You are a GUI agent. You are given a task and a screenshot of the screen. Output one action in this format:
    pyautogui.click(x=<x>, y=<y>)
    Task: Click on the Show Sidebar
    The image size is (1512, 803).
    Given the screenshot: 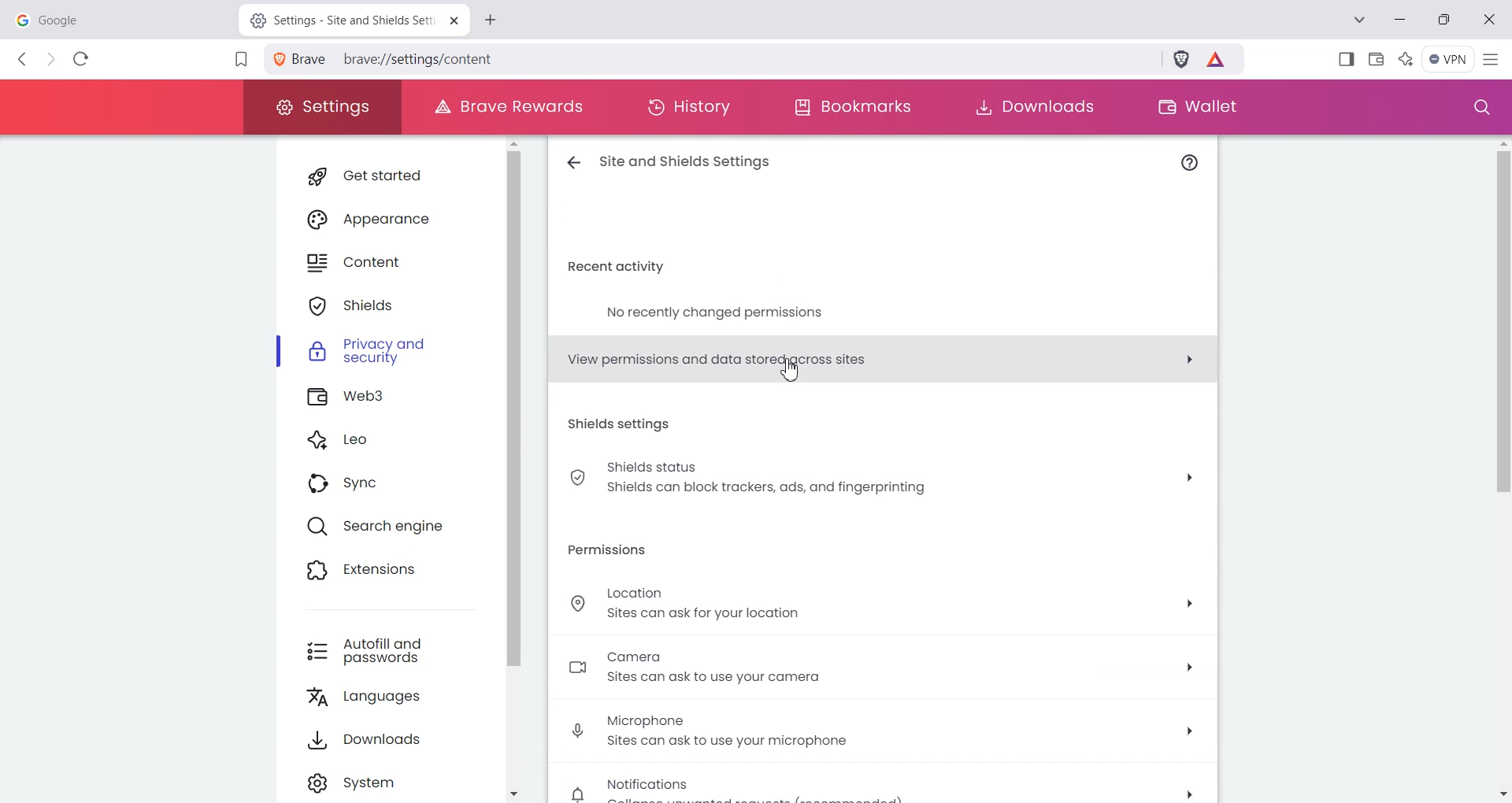 What is the action you would take?
    pyautogui.click(x=1347, y=58)
    